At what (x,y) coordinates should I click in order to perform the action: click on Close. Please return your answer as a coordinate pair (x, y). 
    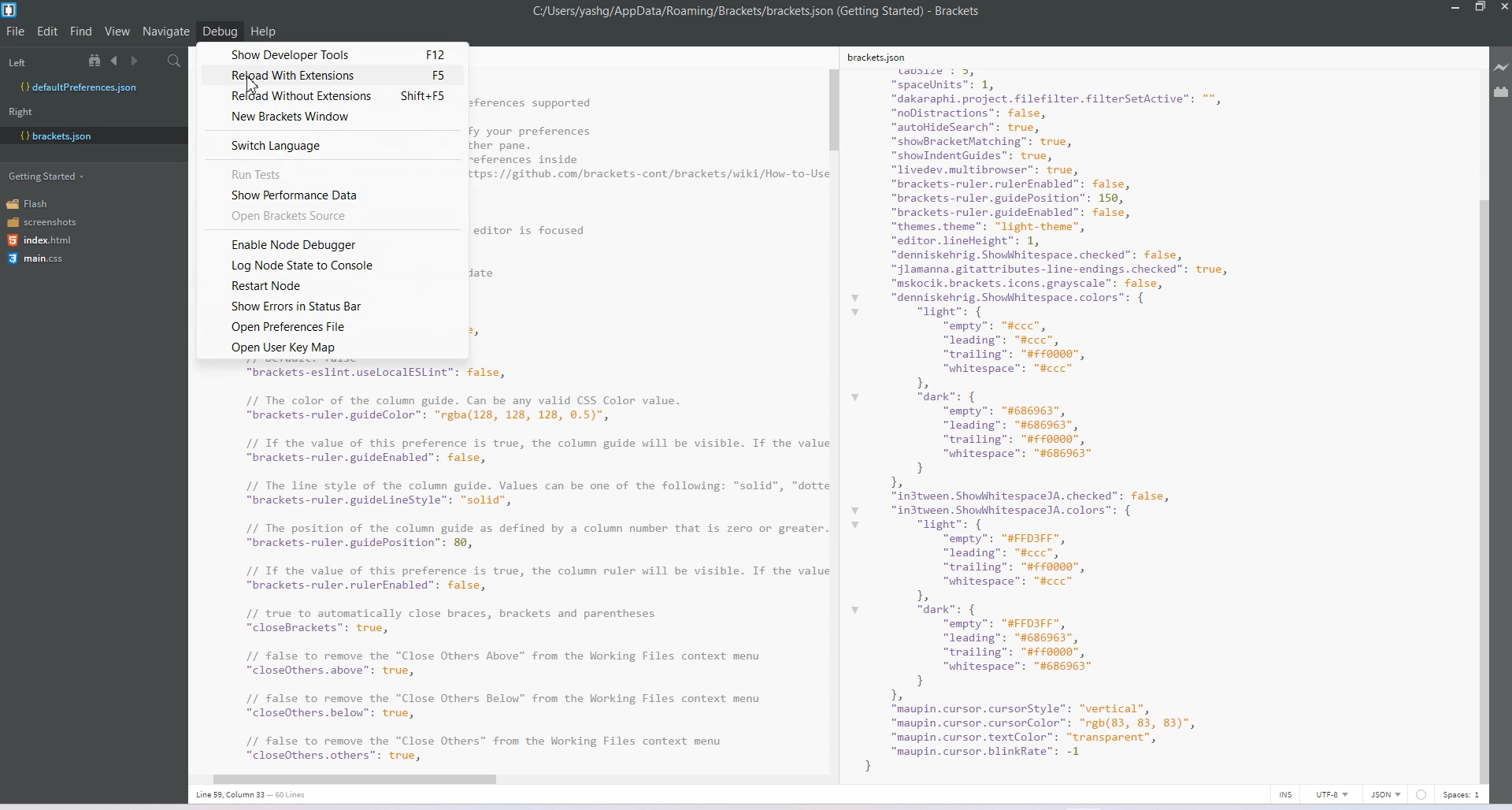
    Looking at the image, I should click on (1503, 9).